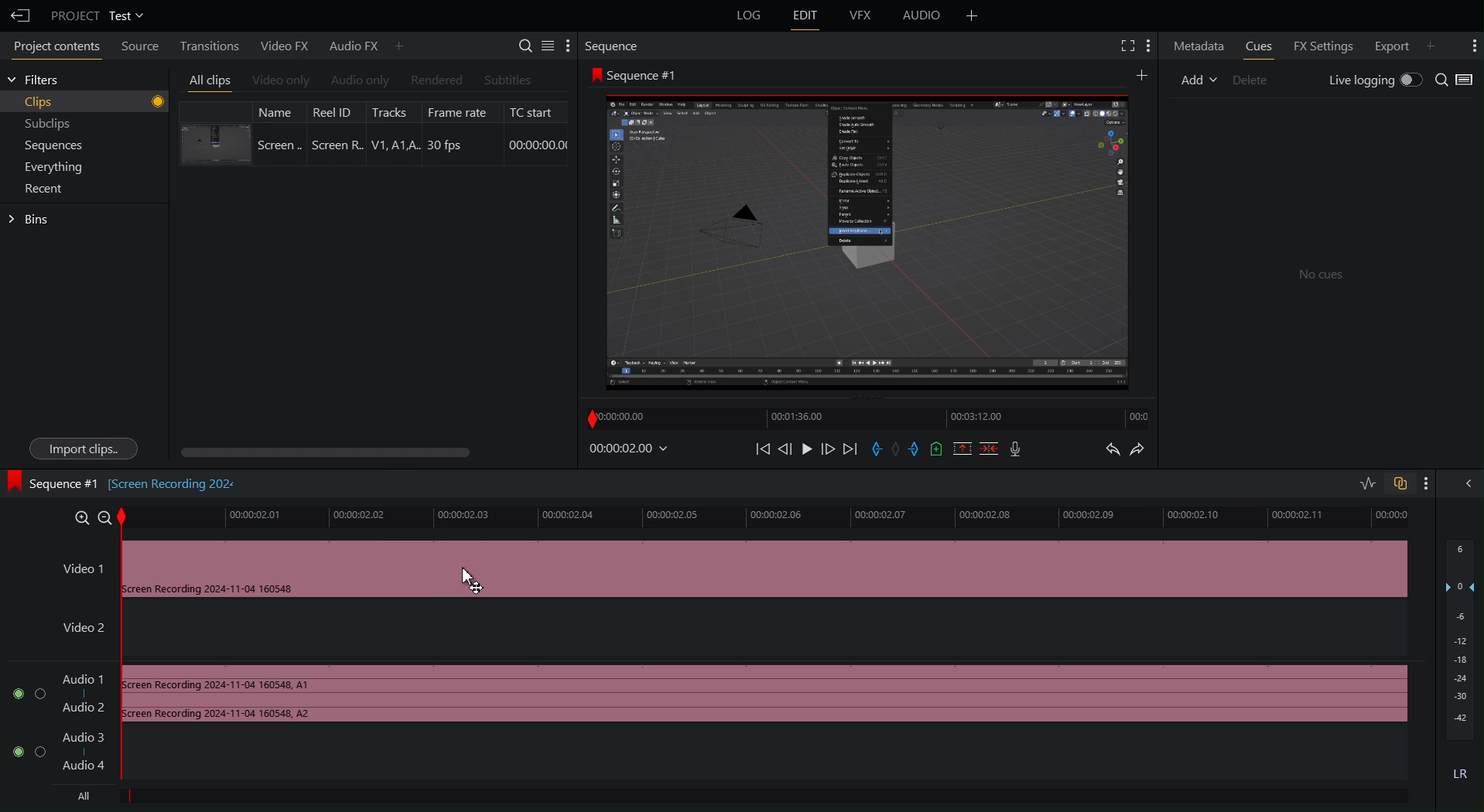 Image resolution: width=1484 pixels, height=812 pixels. What do you see at coordinates (1363, 481) in the screenshot?
I see `Toggle Audio Editing` at bounding box center [1363, 481].